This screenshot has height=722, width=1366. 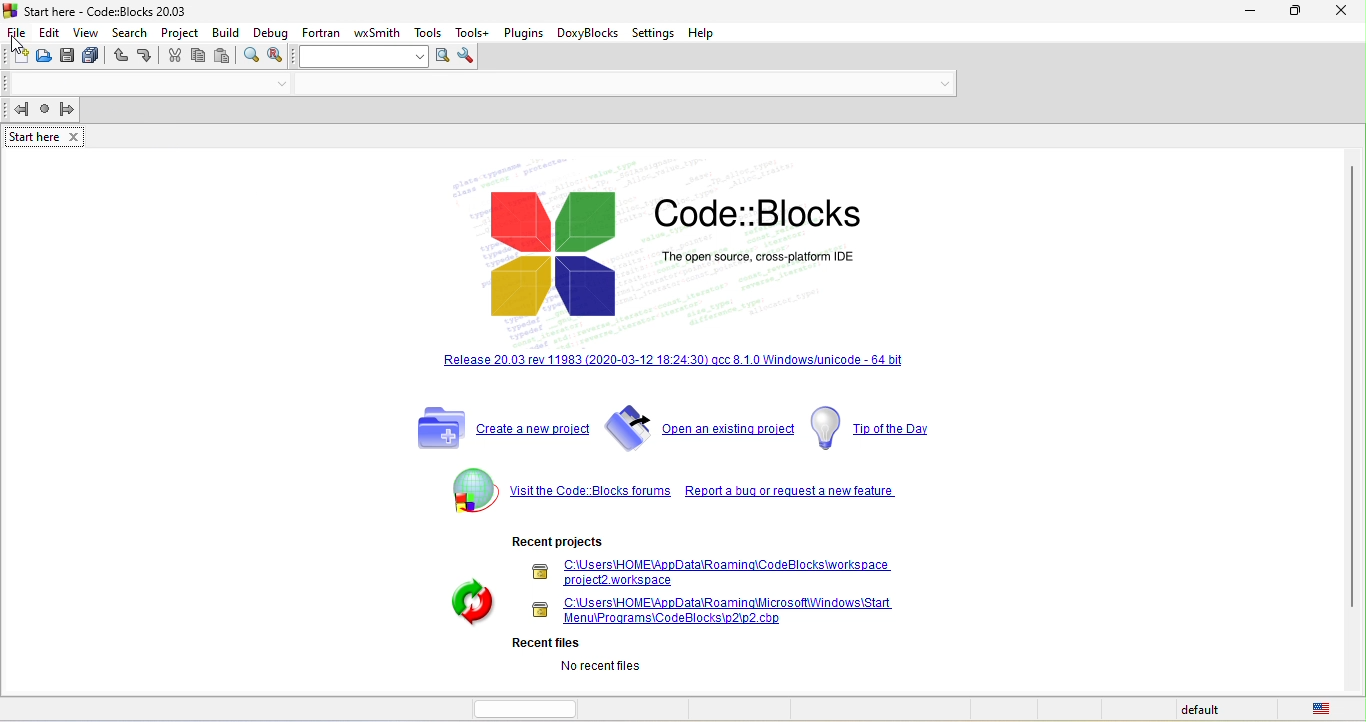 I want to click on visit the code blocks forums report a bug or request a new feature, so click(x=669, y=493).